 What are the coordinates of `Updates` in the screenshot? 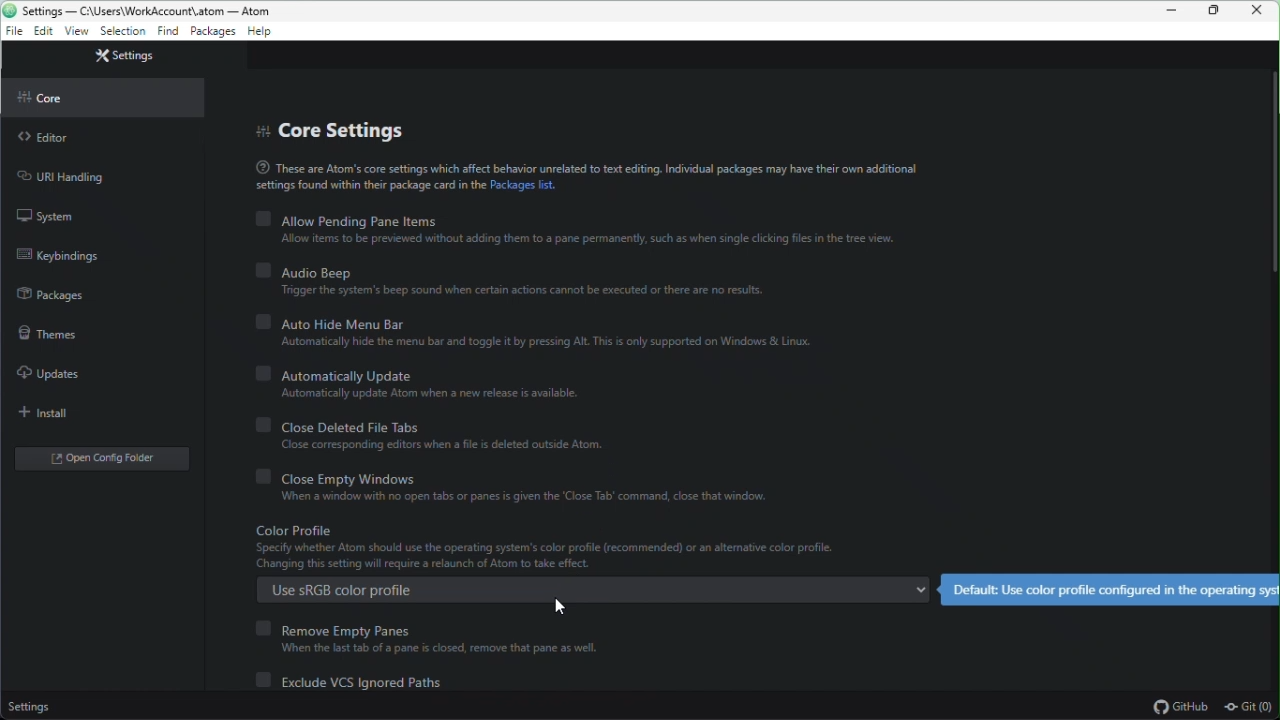 It's located at (44, 373).